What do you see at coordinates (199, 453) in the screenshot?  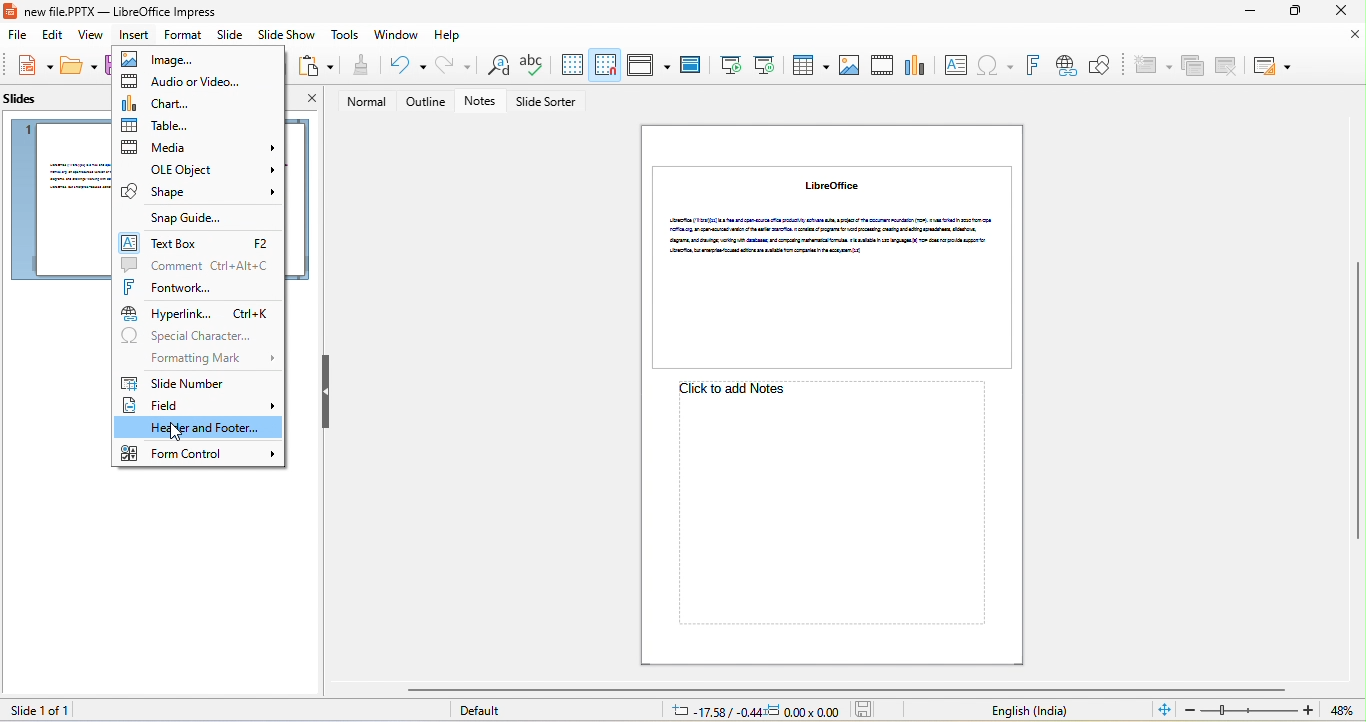 I see `form control` at bounding box center [199, 453].